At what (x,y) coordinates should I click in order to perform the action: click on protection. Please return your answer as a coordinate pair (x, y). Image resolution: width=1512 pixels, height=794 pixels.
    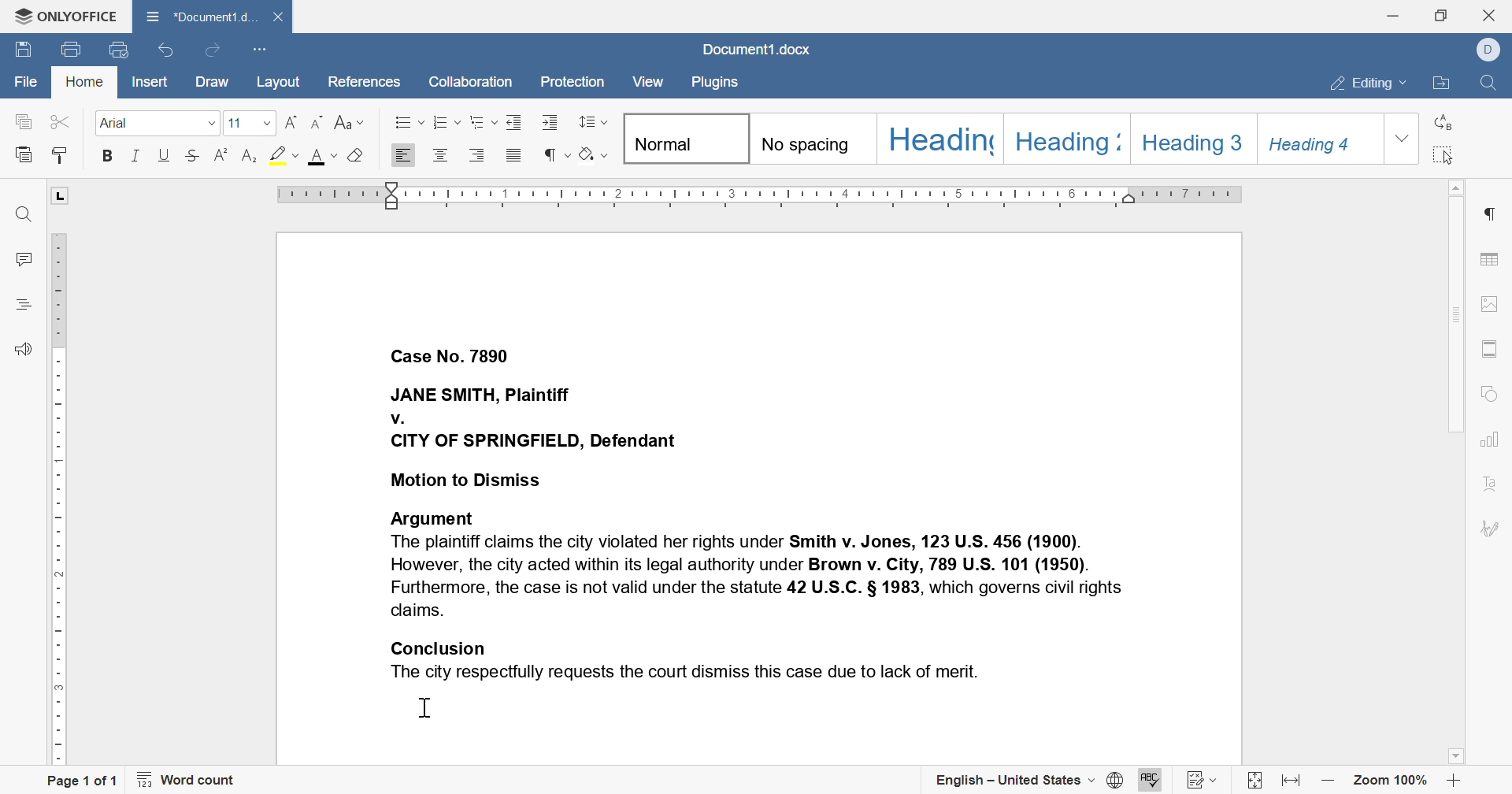
    Looking at the image, I should click on (572, 82).